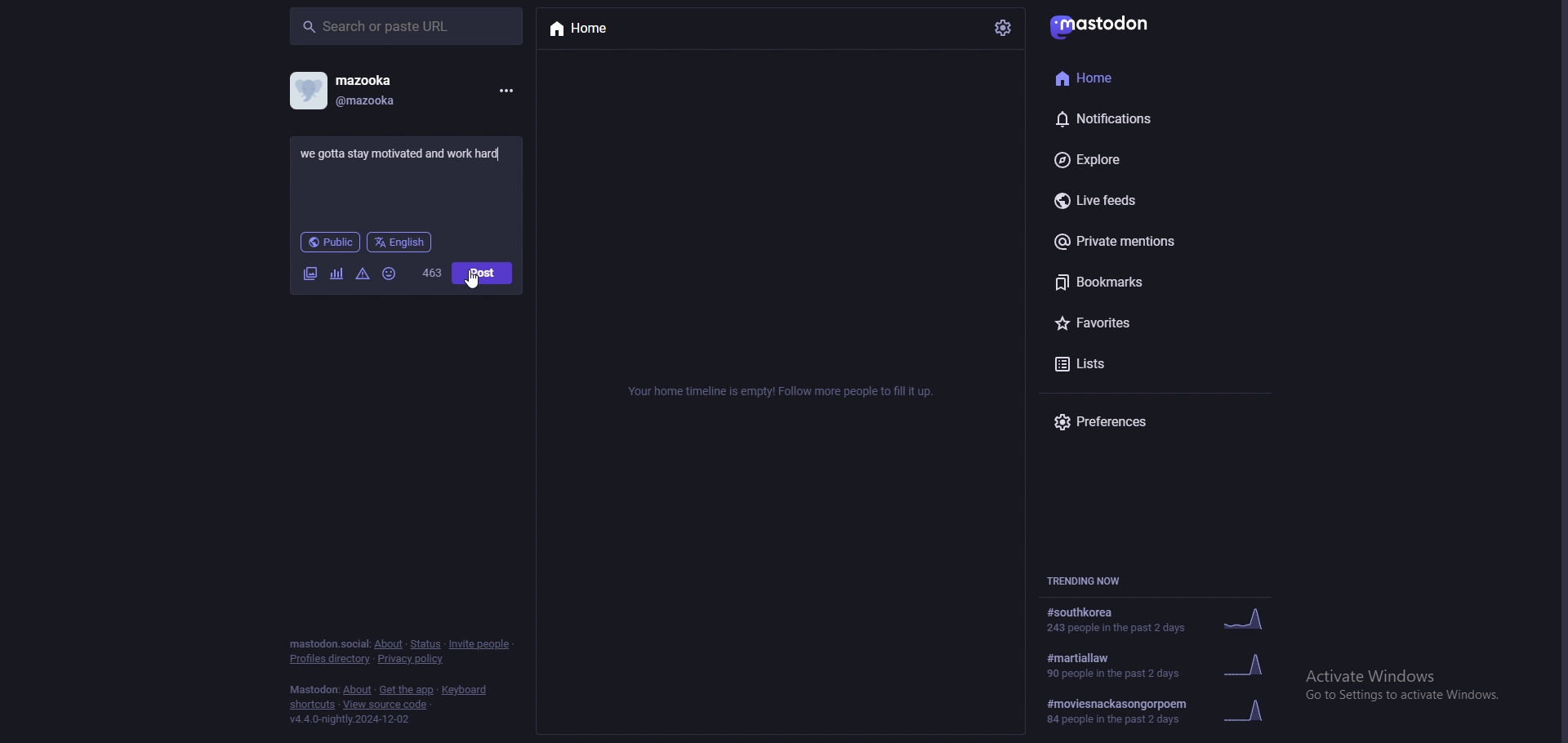 The image size is (1568, 743). What do you see at coordinates (363, 274) in the screenshot?
I see `warning` at bounding box center [363, 274].